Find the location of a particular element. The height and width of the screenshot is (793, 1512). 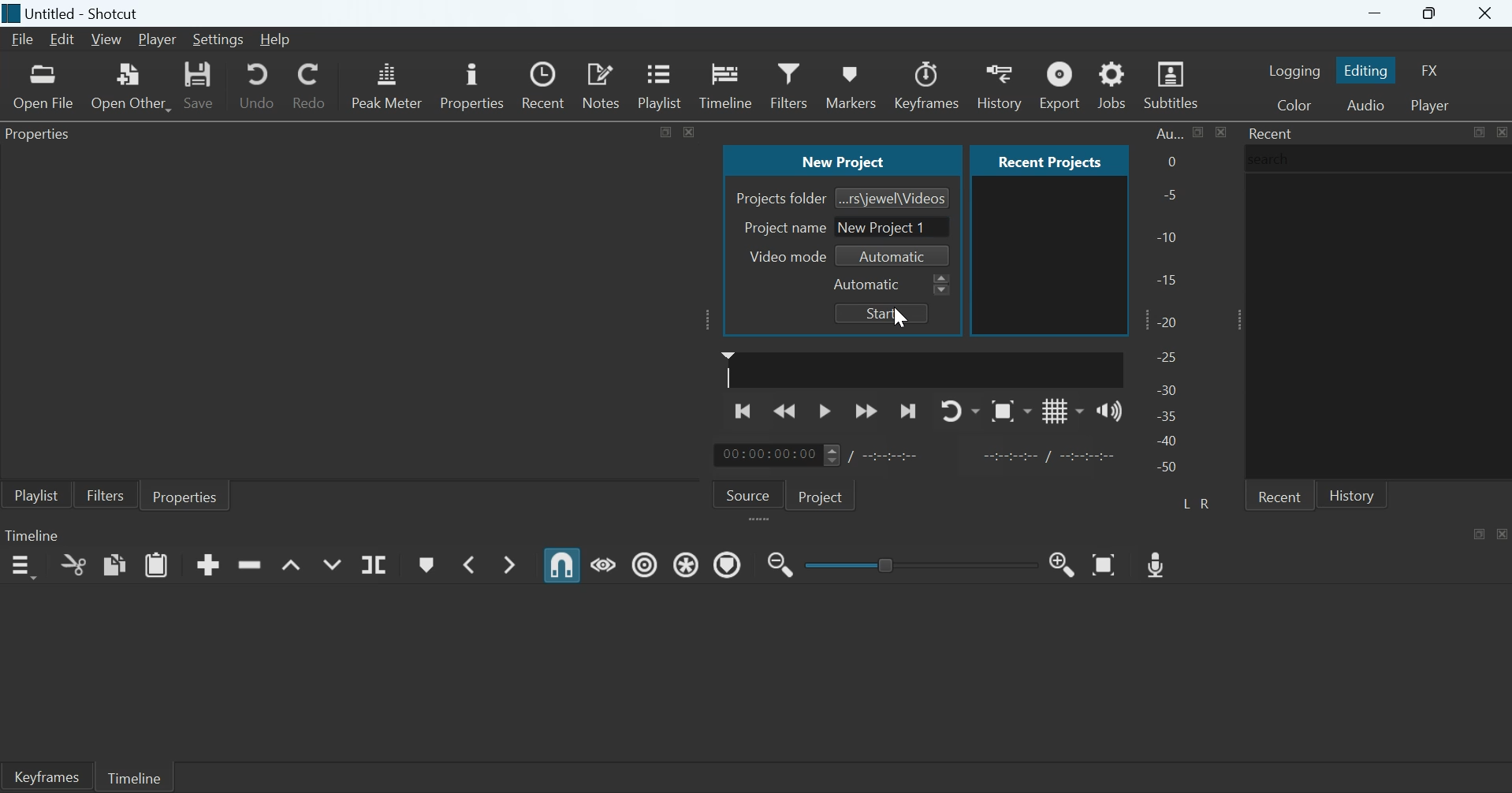

Cursor is located at coordinates (899, 318).